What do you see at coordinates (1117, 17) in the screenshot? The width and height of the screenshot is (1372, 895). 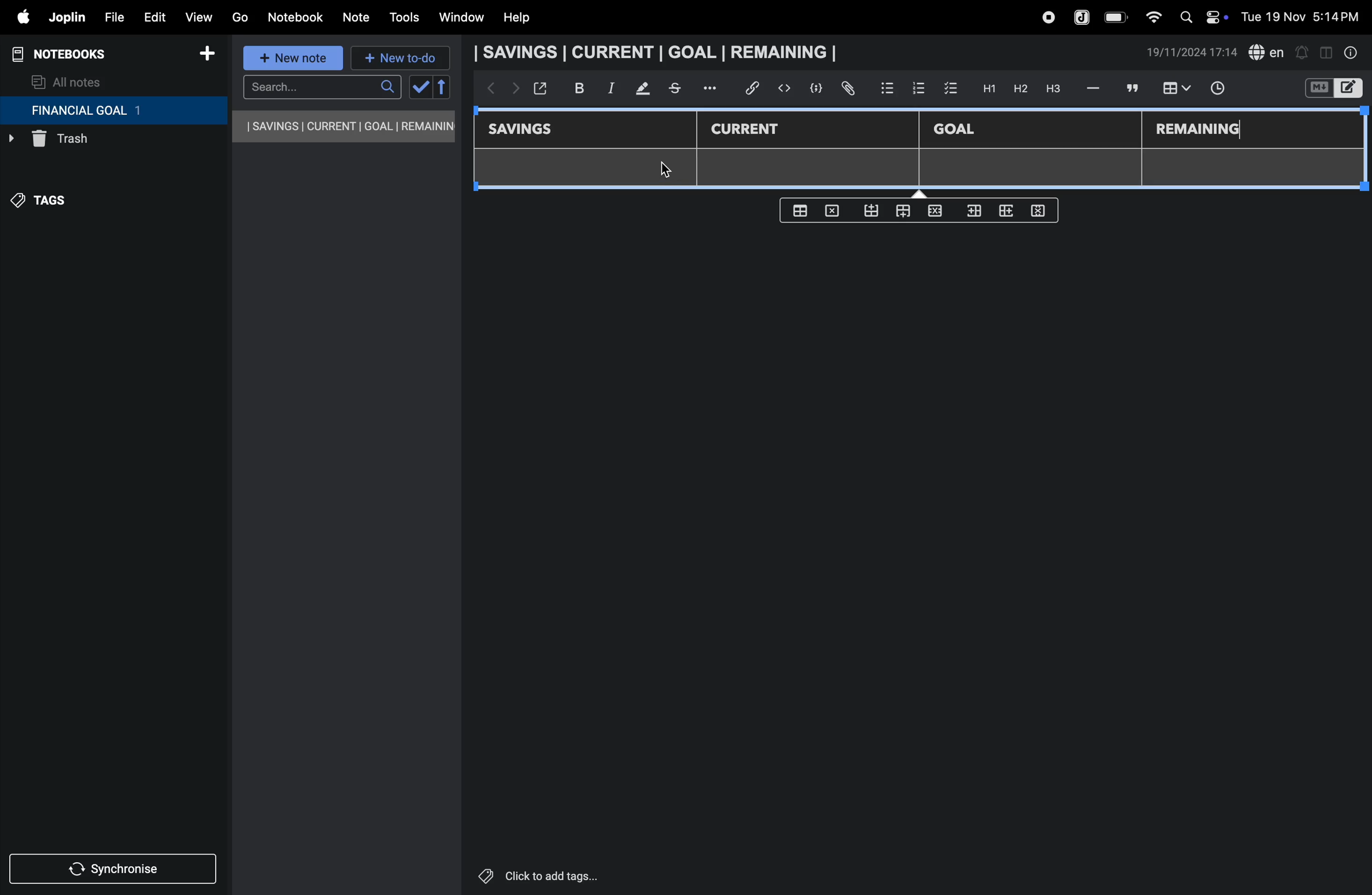 I see `battery` at bounding box center [1117, 17].